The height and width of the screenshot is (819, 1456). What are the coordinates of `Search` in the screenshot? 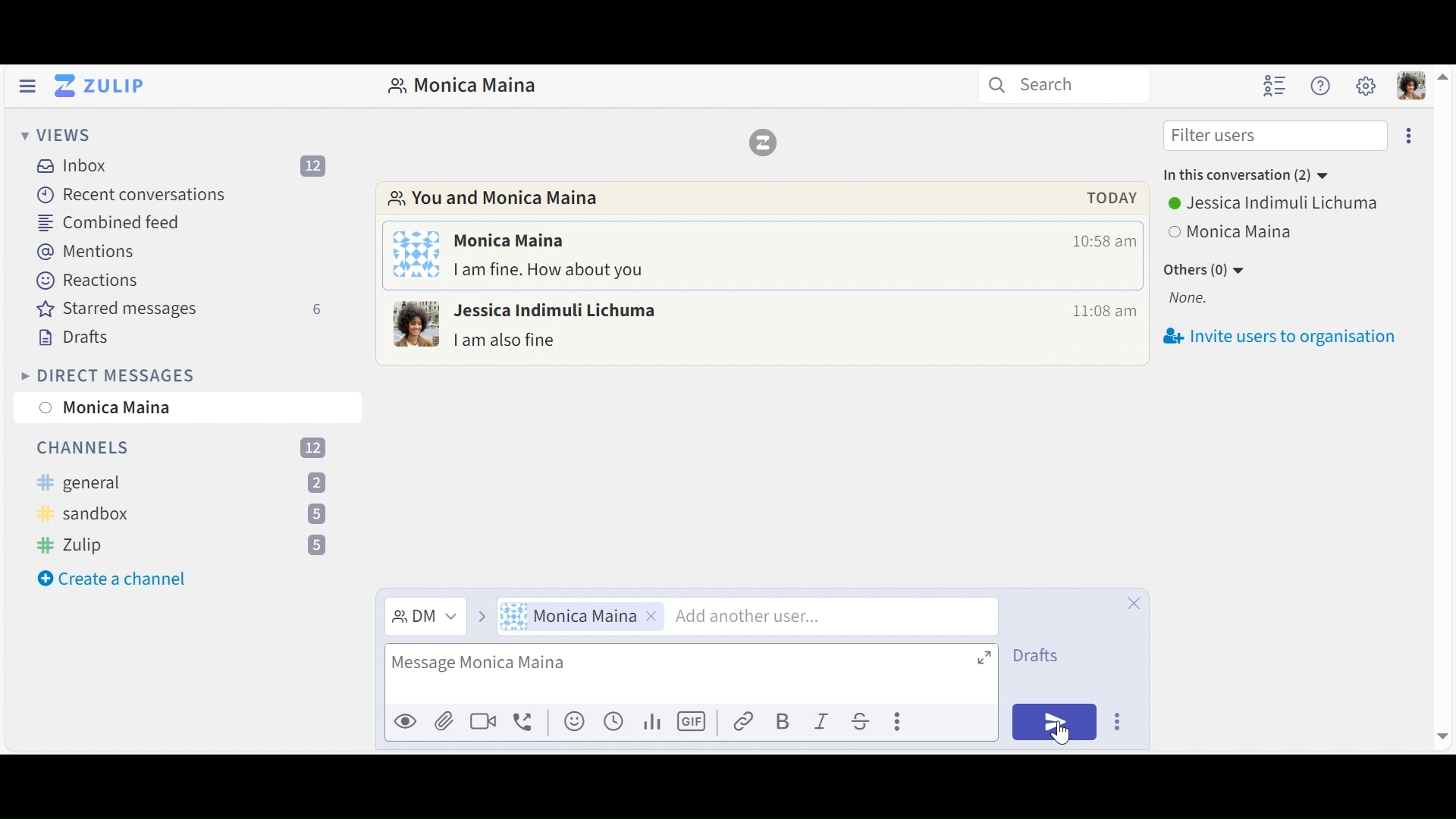 It's located at (1062, 83).